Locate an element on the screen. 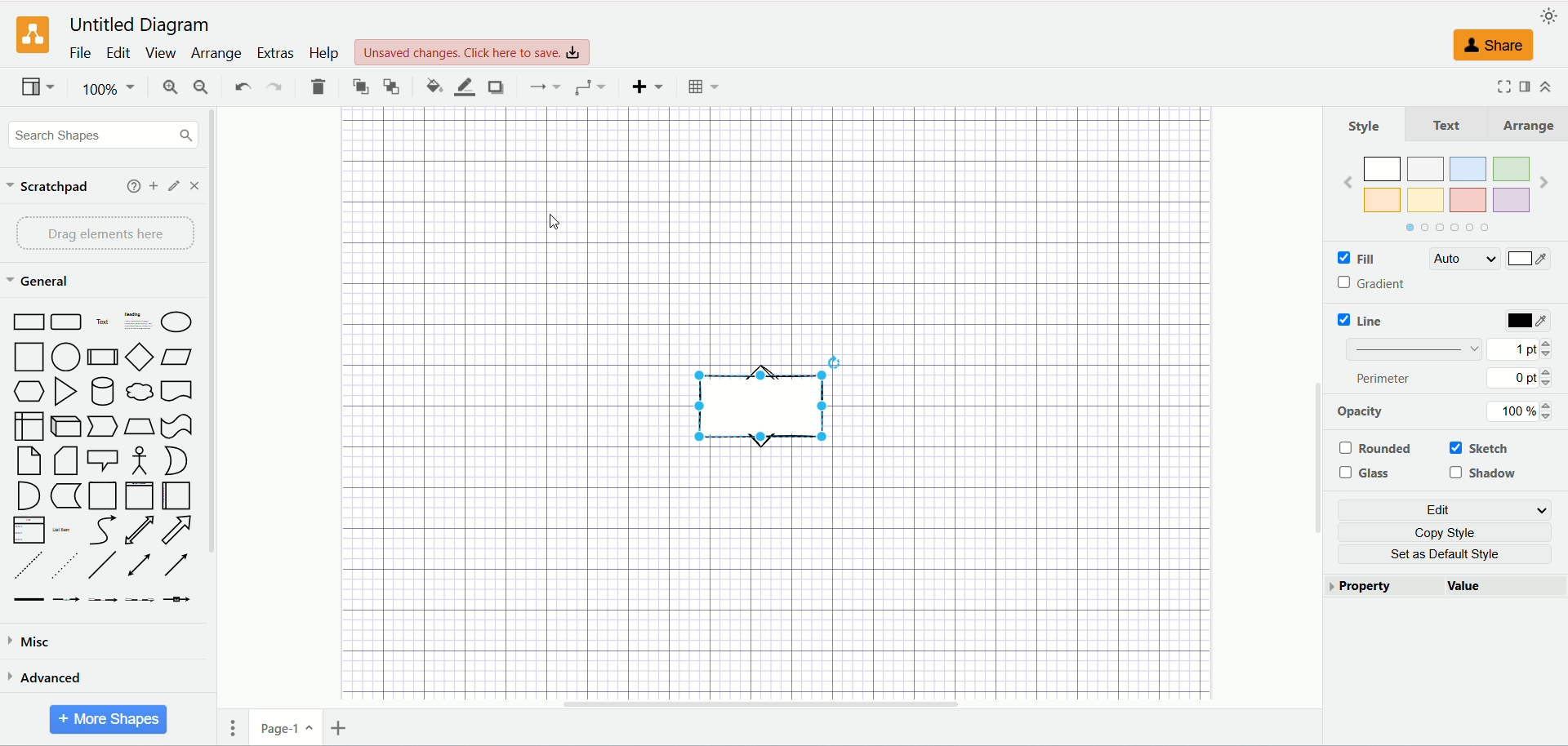  Vertical Container is located at coordinates (143, 495).